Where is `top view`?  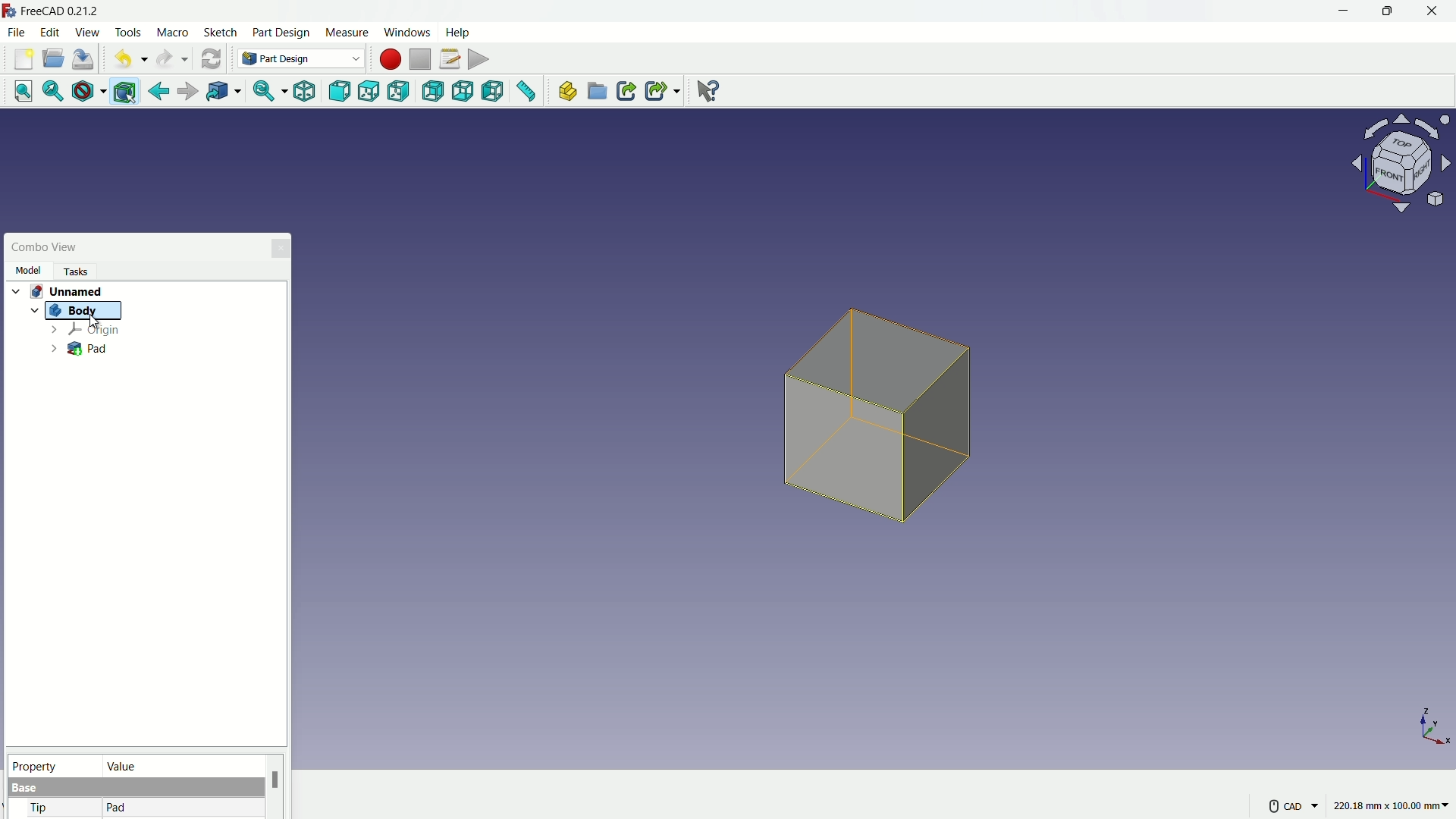 top view is located at coordinates (372, 91).